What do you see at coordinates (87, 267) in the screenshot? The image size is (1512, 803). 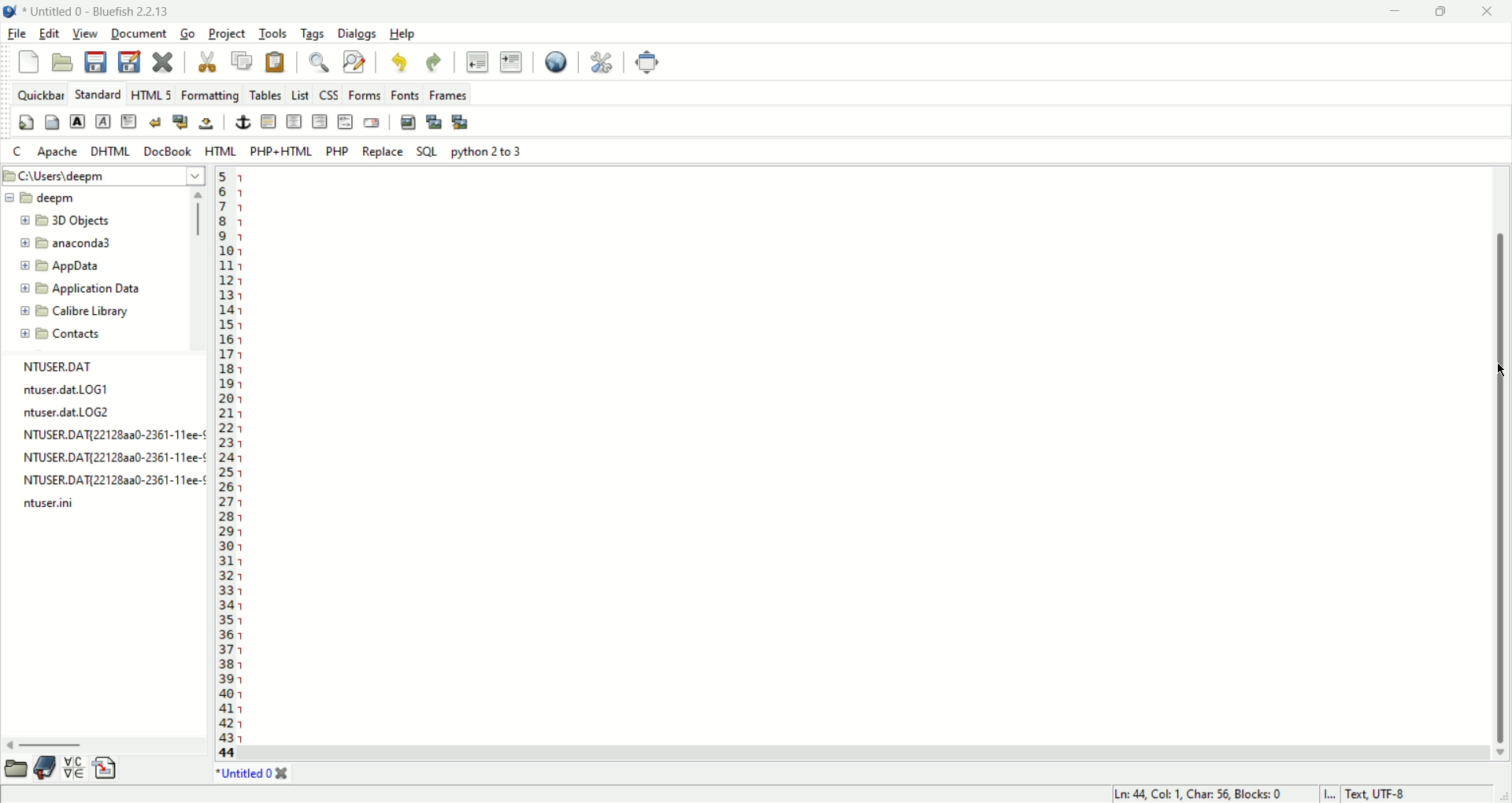 I see `Folder name` at bounding box center [87, 267].